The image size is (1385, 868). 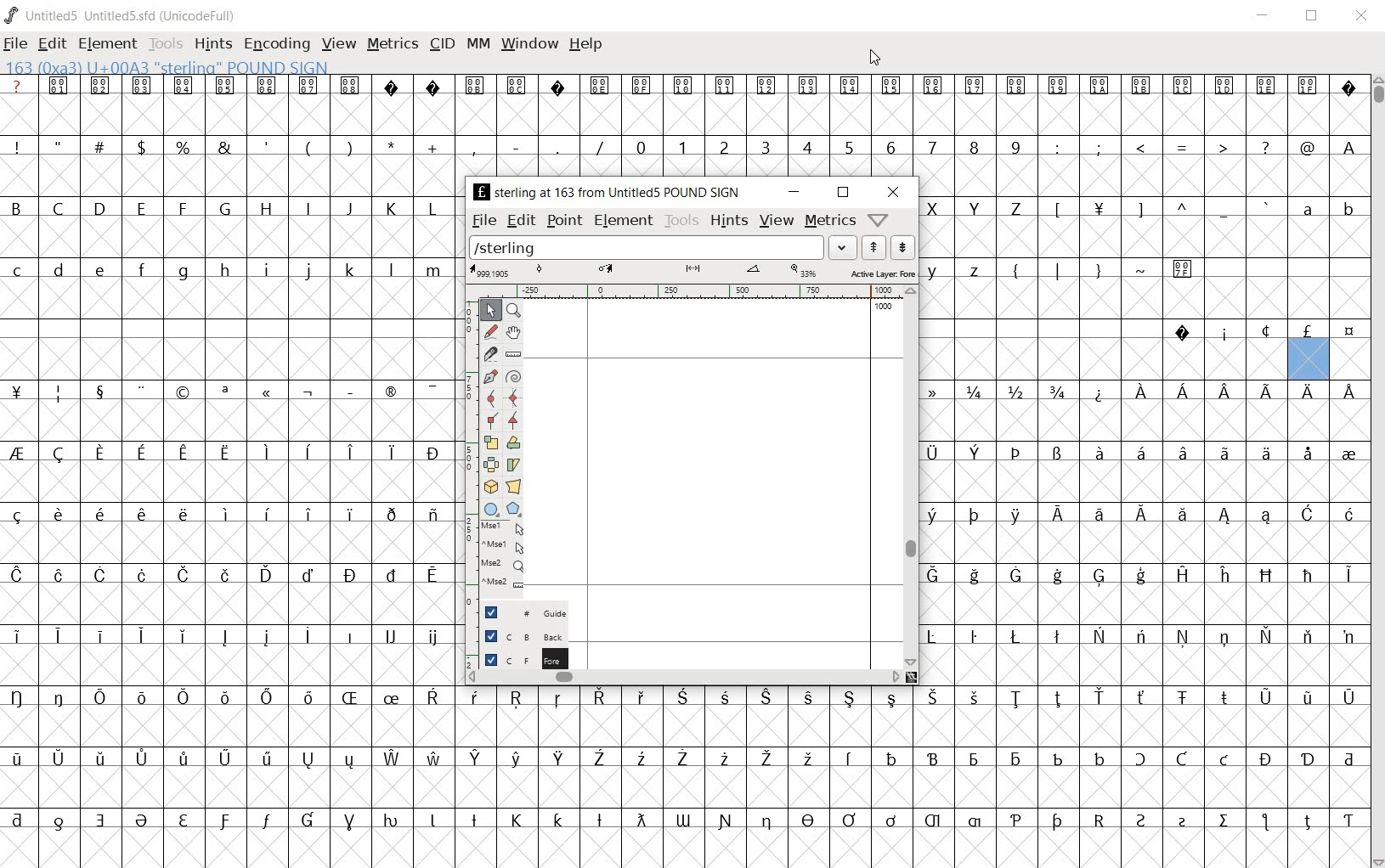 I want to click on Symbol, so click(x=20, y=515).